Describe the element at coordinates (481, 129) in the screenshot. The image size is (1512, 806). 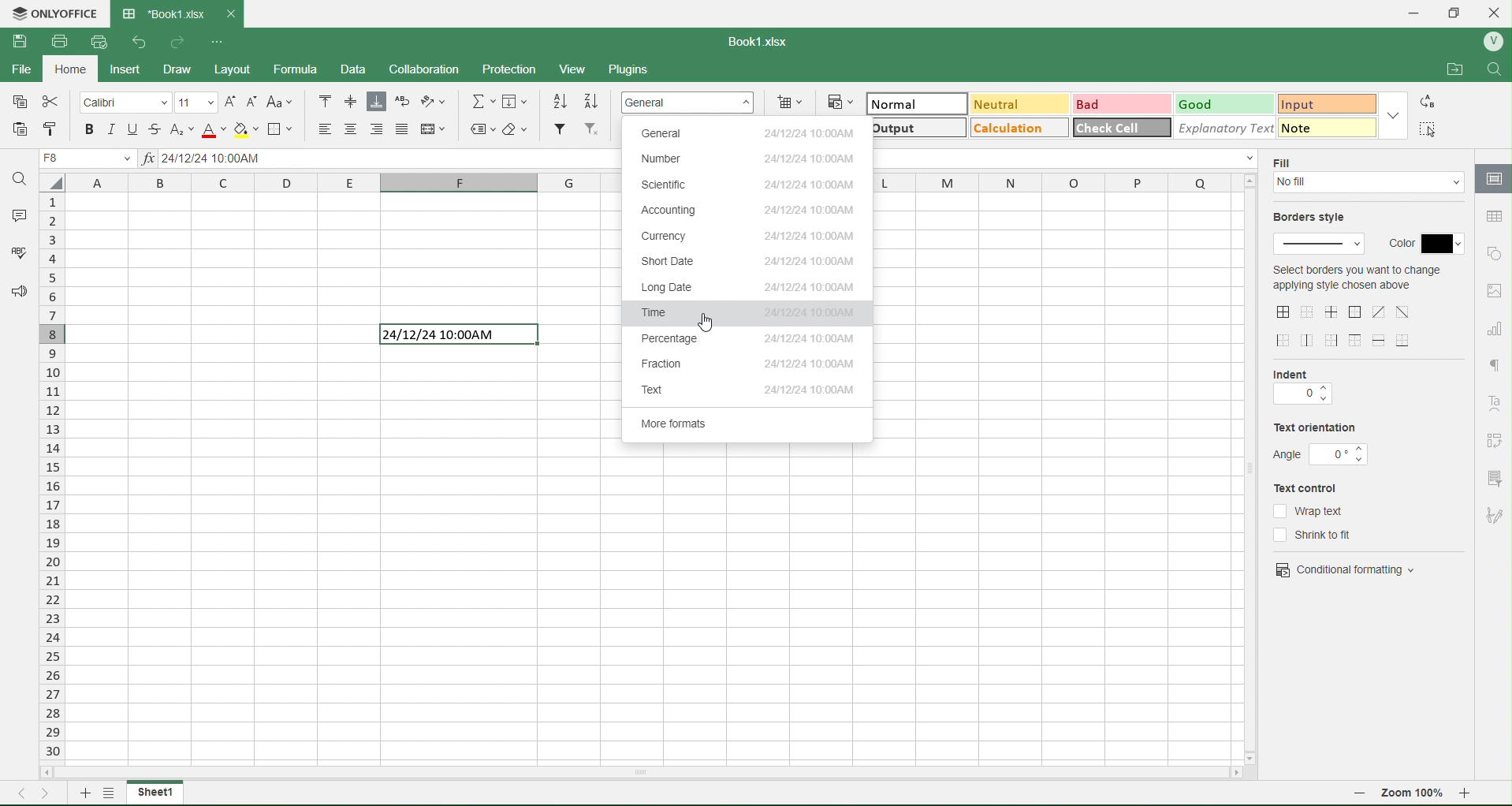
I see `Named Ranges` at that location.